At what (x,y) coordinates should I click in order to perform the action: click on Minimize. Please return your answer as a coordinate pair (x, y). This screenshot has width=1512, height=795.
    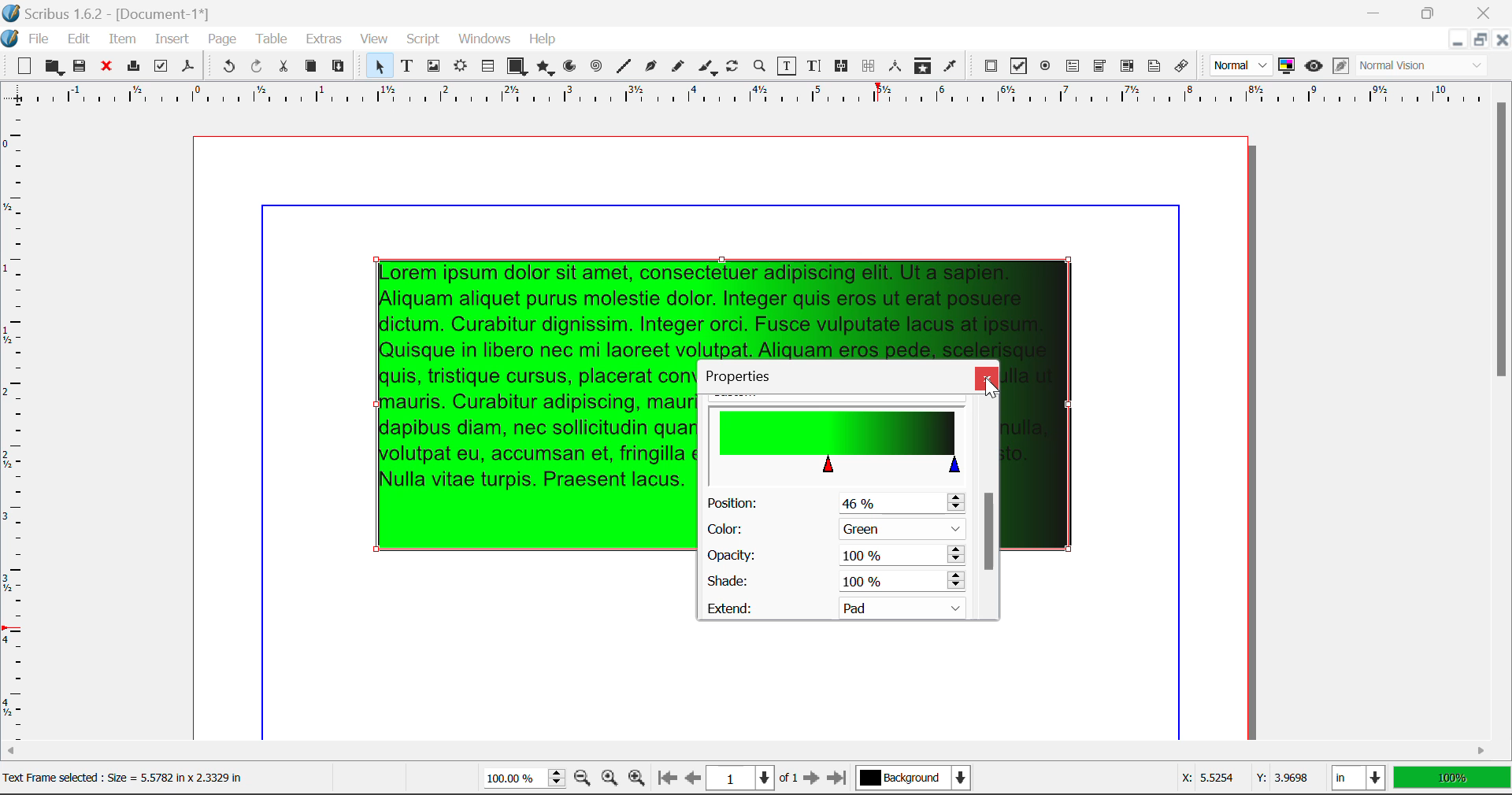
    Looking at the image, I should click on (1429, 11).